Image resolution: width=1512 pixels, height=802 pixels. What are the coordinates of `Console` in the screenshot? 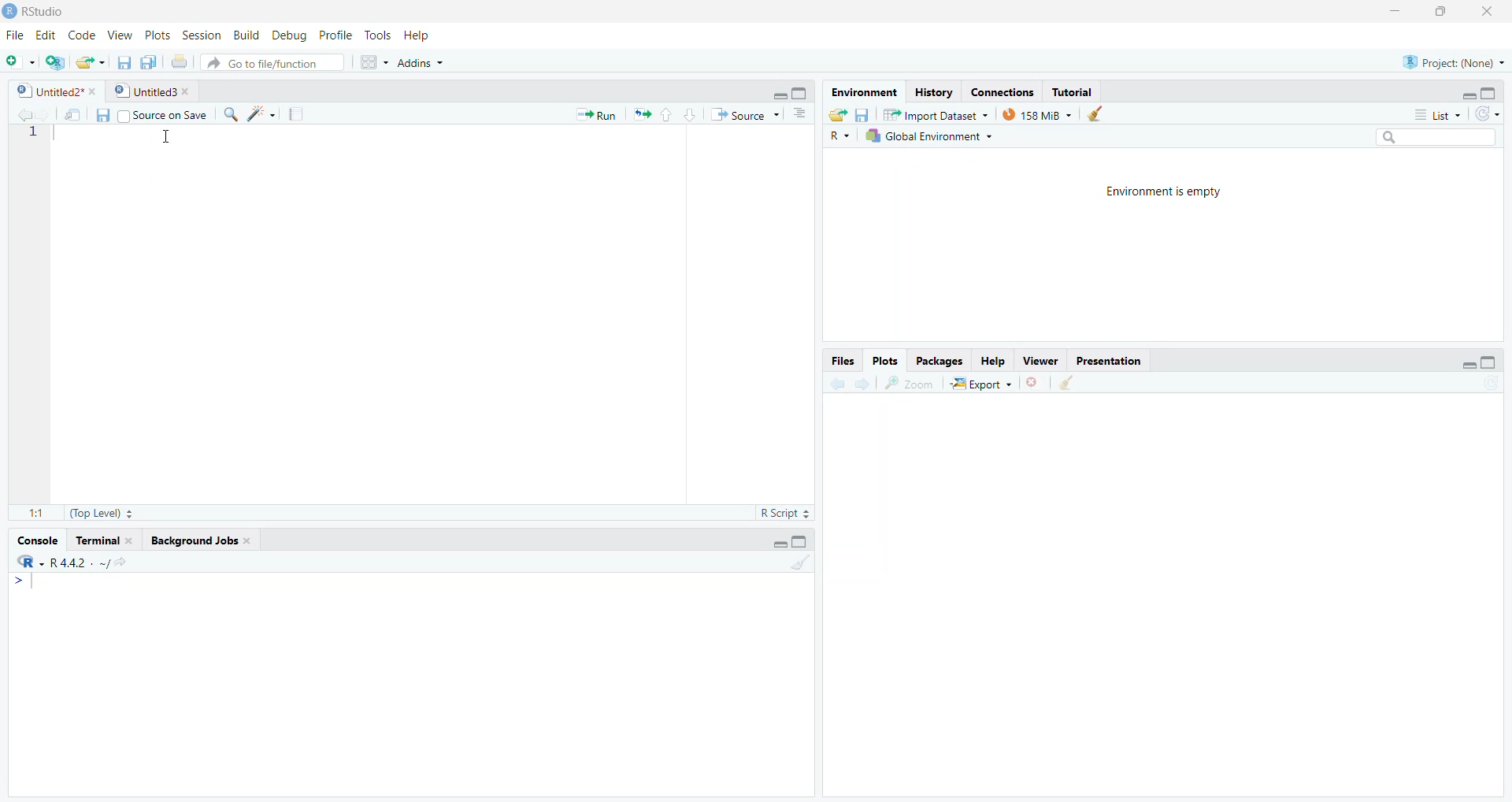 It's located at (415, 684).